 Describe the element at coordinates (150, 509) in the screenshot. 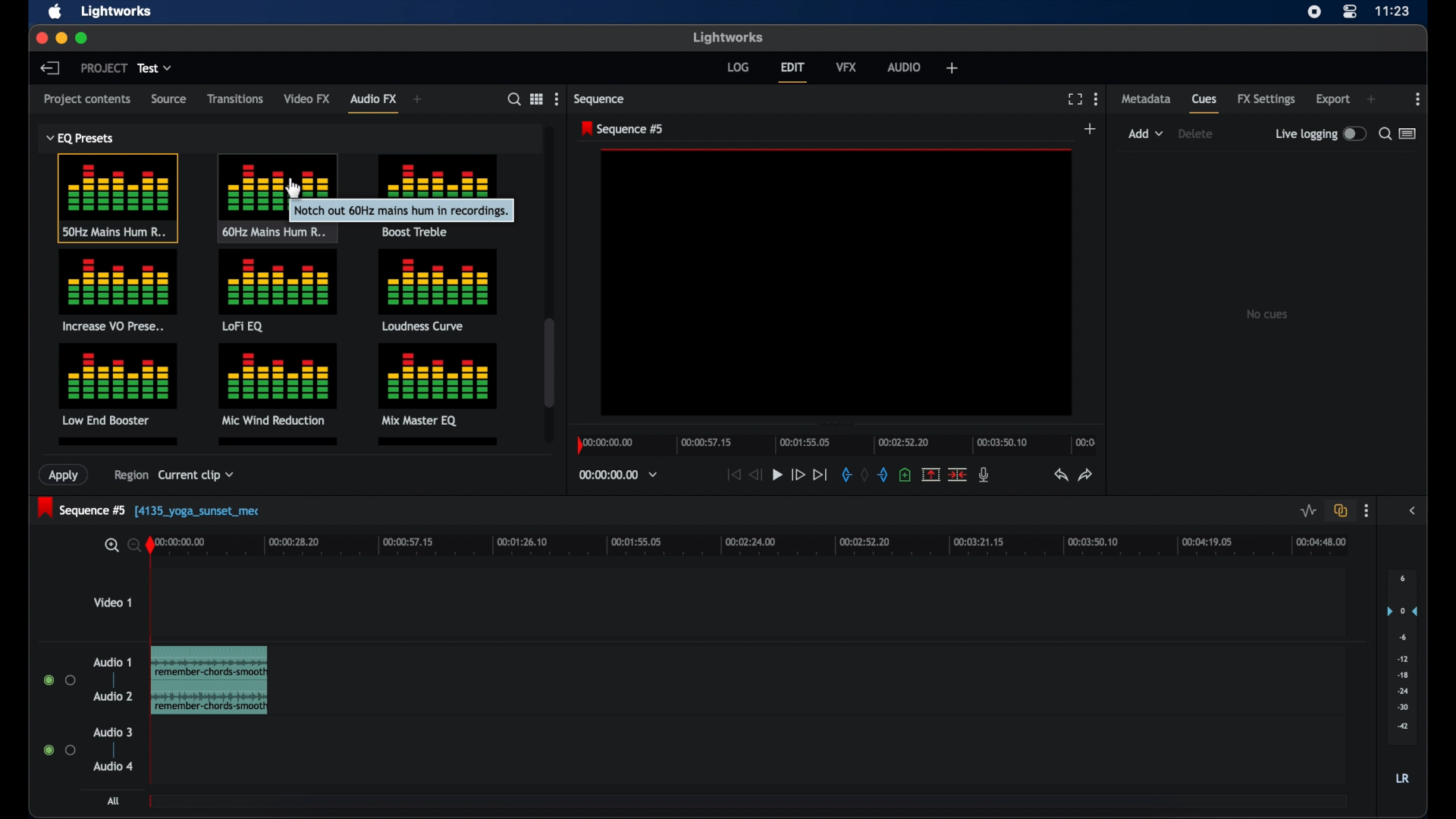

I see `sequence 5` at that location.